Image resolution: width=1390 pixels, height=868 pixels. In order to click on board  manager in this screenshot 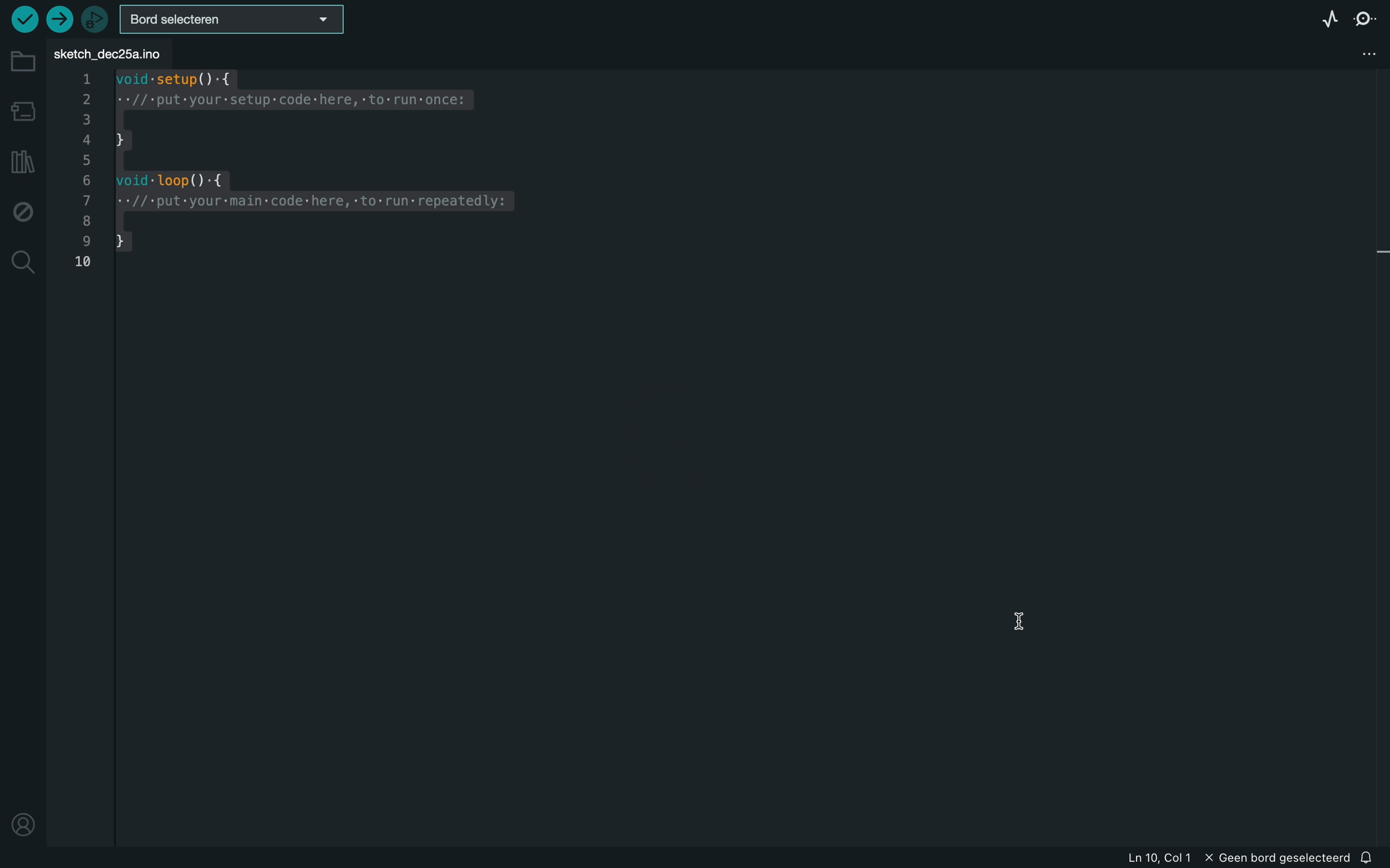, I will do `click(24, 111)`.